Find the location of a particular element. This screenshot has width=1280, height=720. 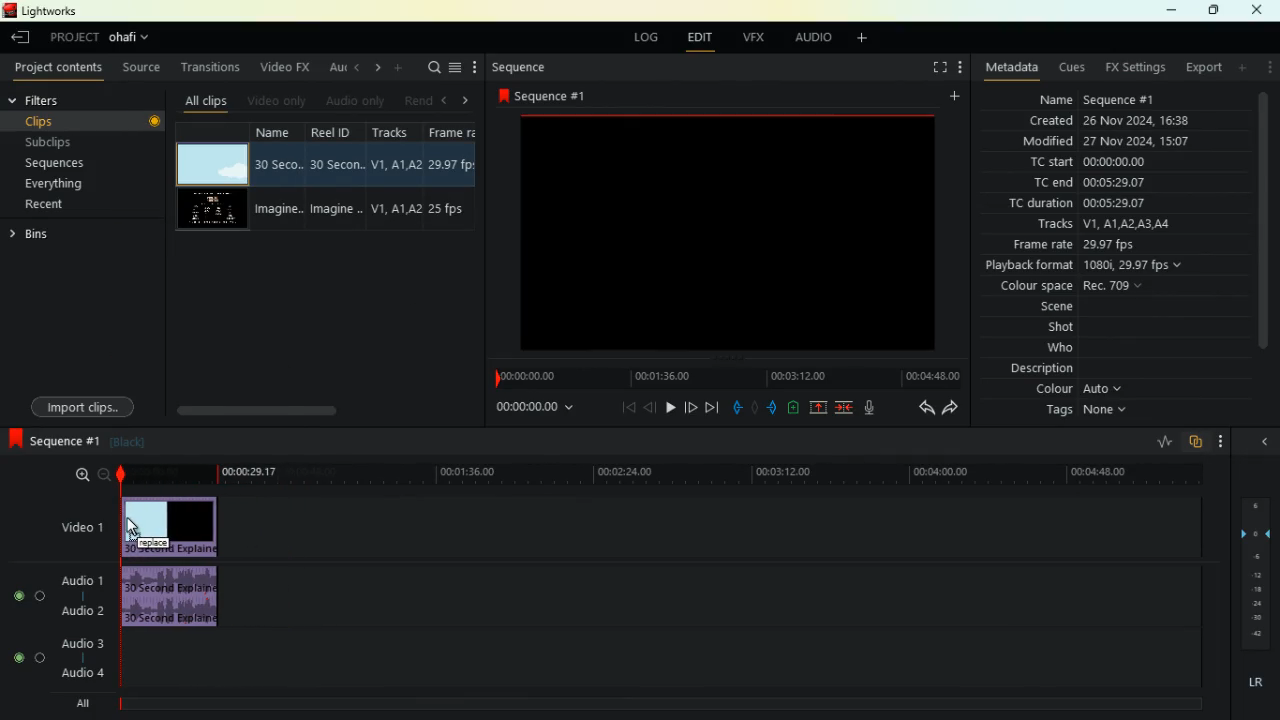

playback format is located at coordinates (1029, 266).